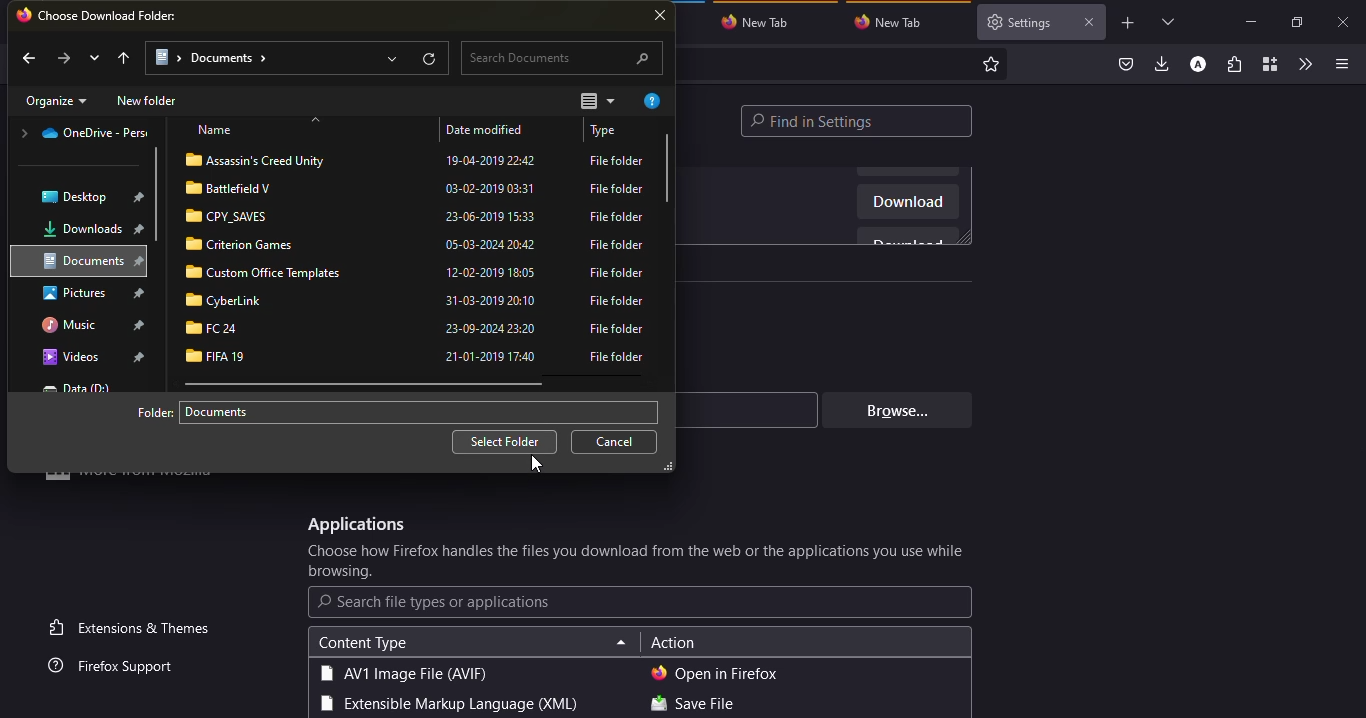 This screenshot has height=718, width=1366. What do you see at coordinates (135, 482) in the screenshot?
I see `more` at bounding box center [135, 482].